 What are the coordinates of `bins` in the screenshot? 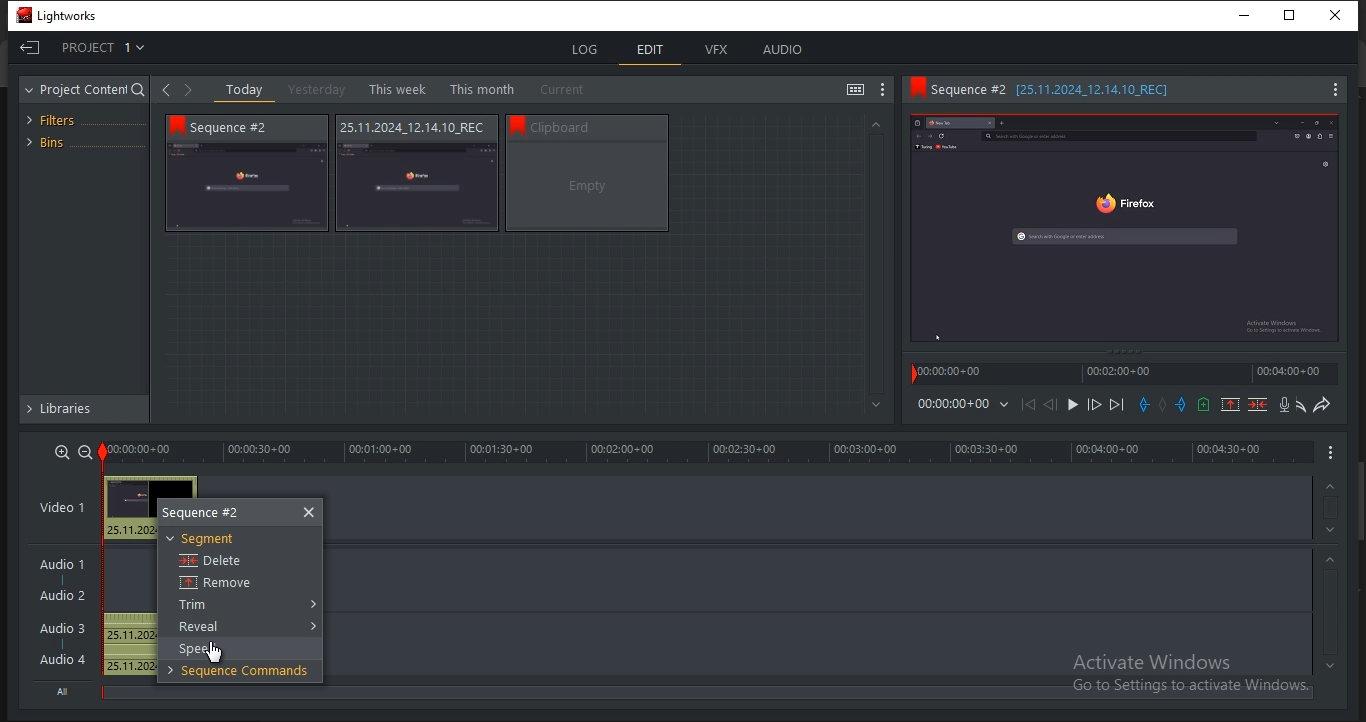 It's located at (80, 141).